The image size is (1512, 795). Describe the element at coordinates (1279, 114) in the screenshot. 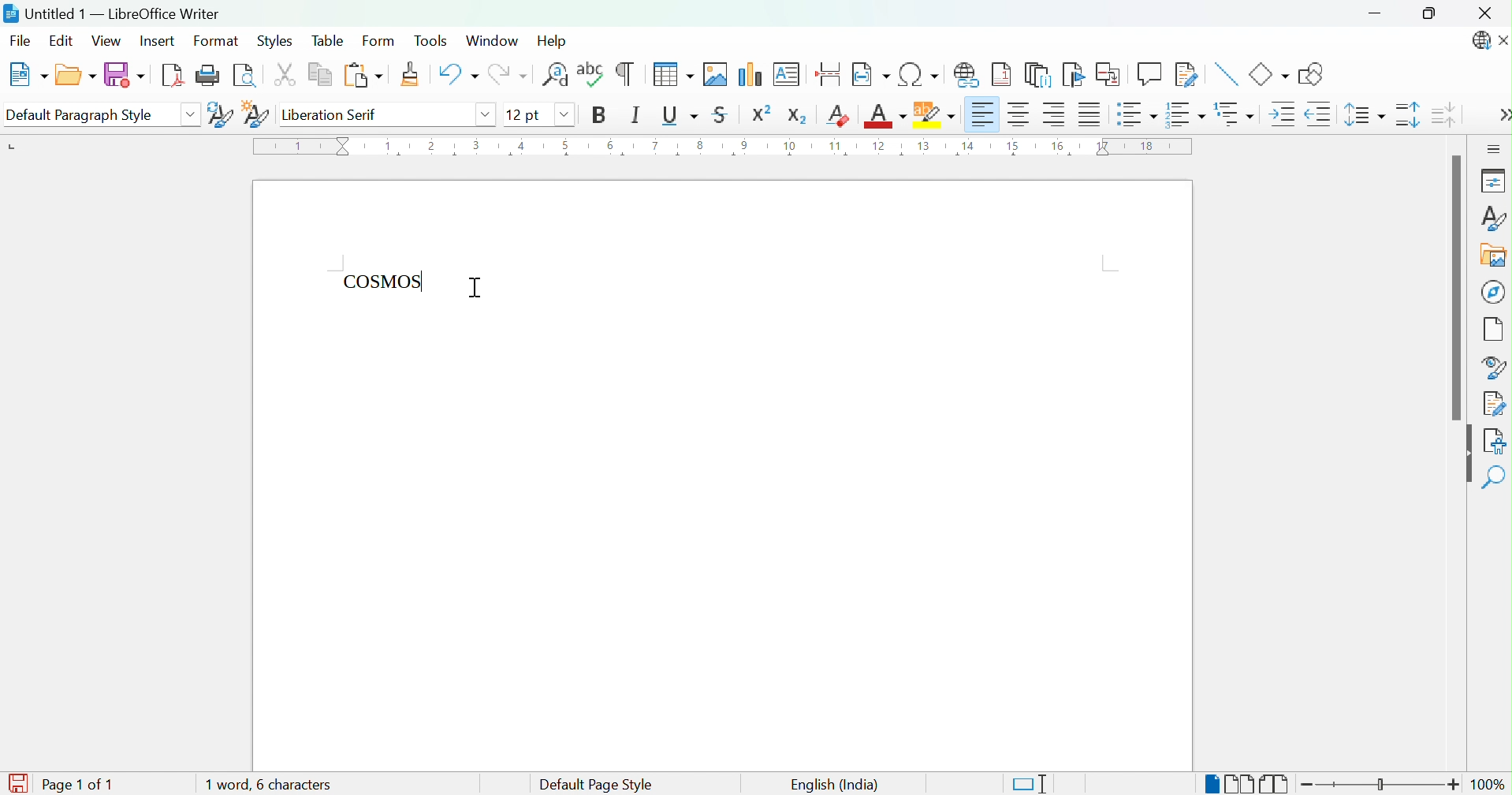

I see `Increase Indent` at that location.